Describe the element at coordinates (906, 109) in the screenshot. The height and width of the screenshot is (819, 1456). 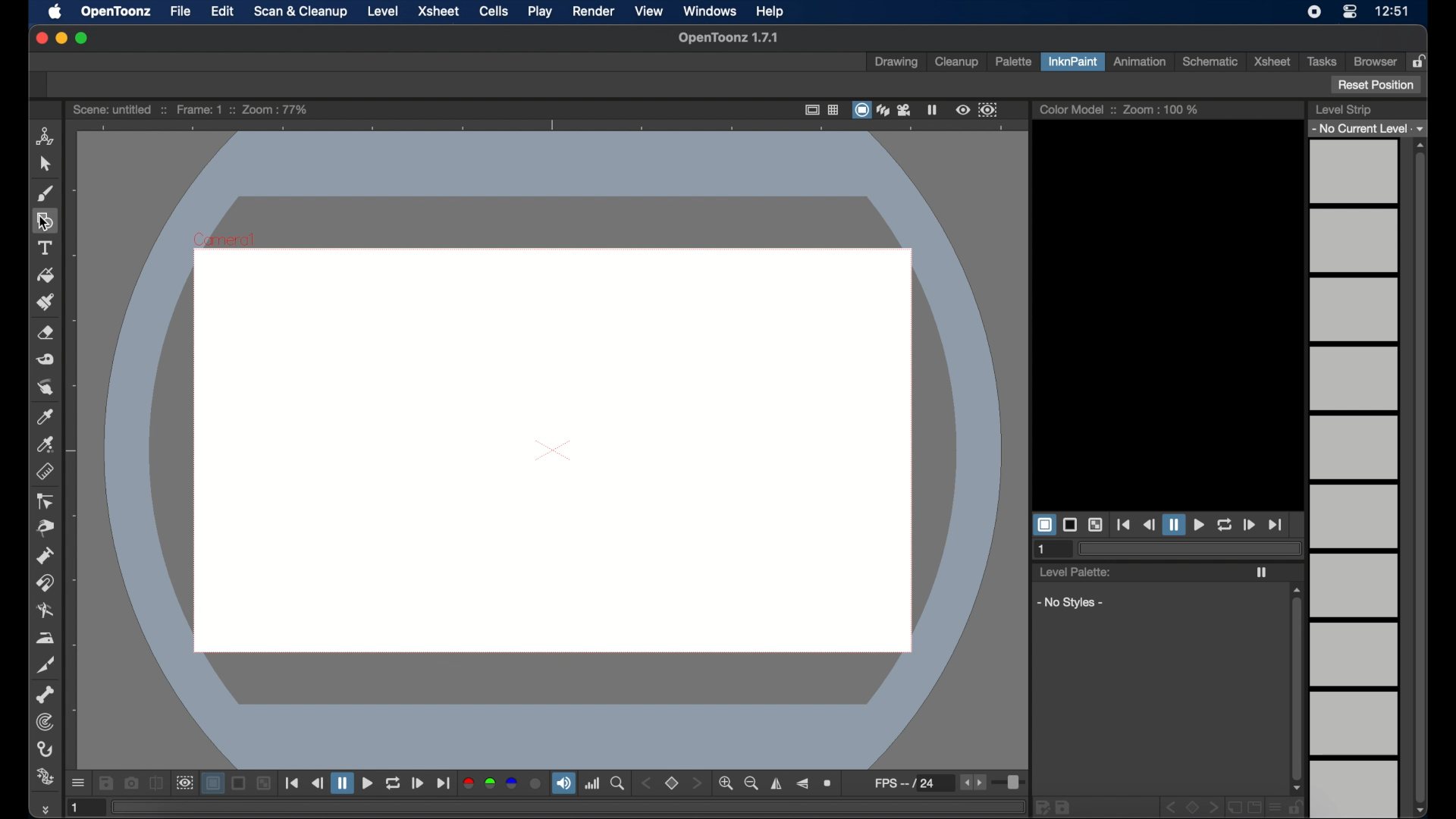
I see `camera` at that location.